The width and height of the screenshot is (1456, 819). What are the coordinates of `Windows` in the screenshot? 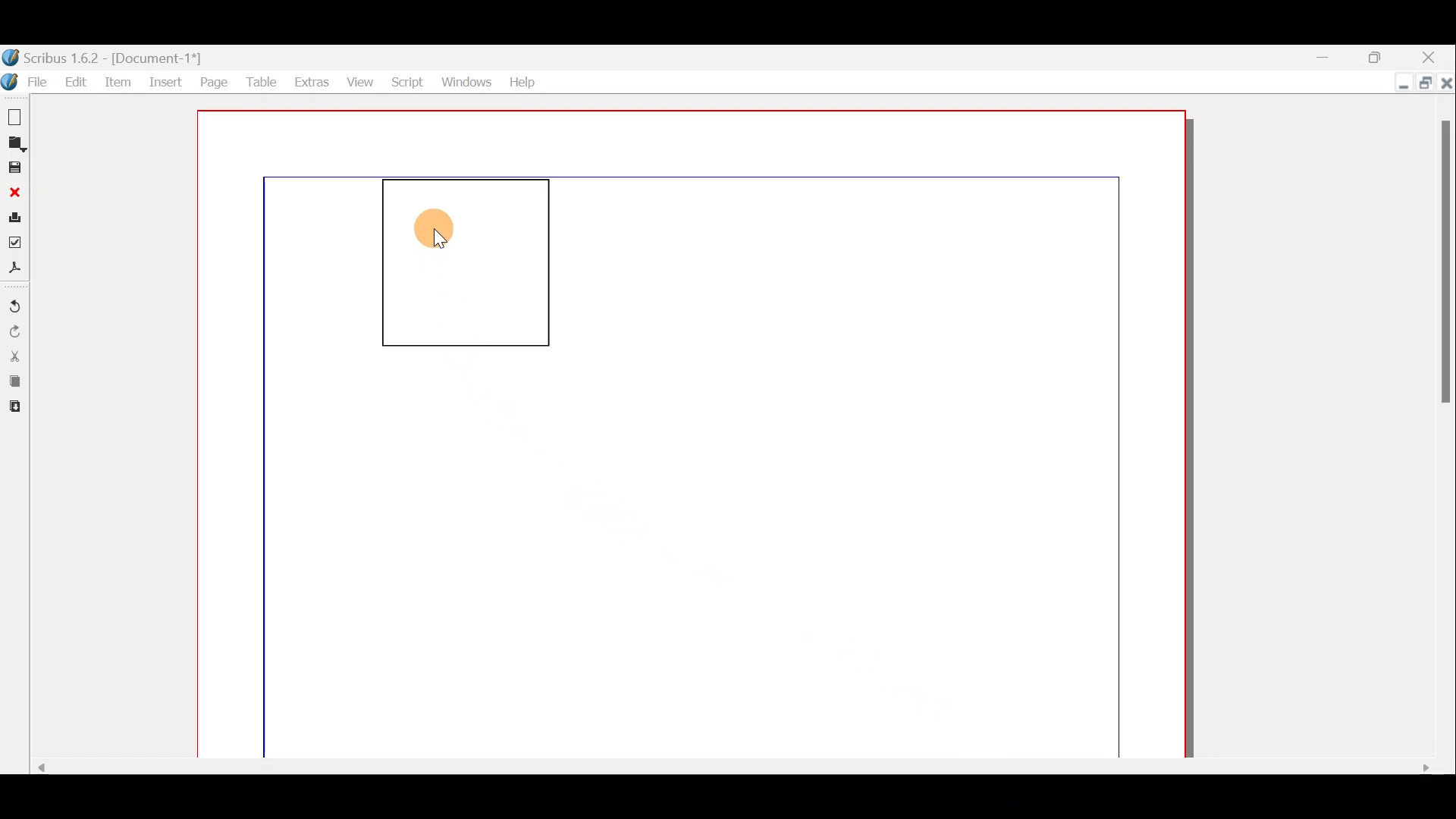 It's located at (466, 80).